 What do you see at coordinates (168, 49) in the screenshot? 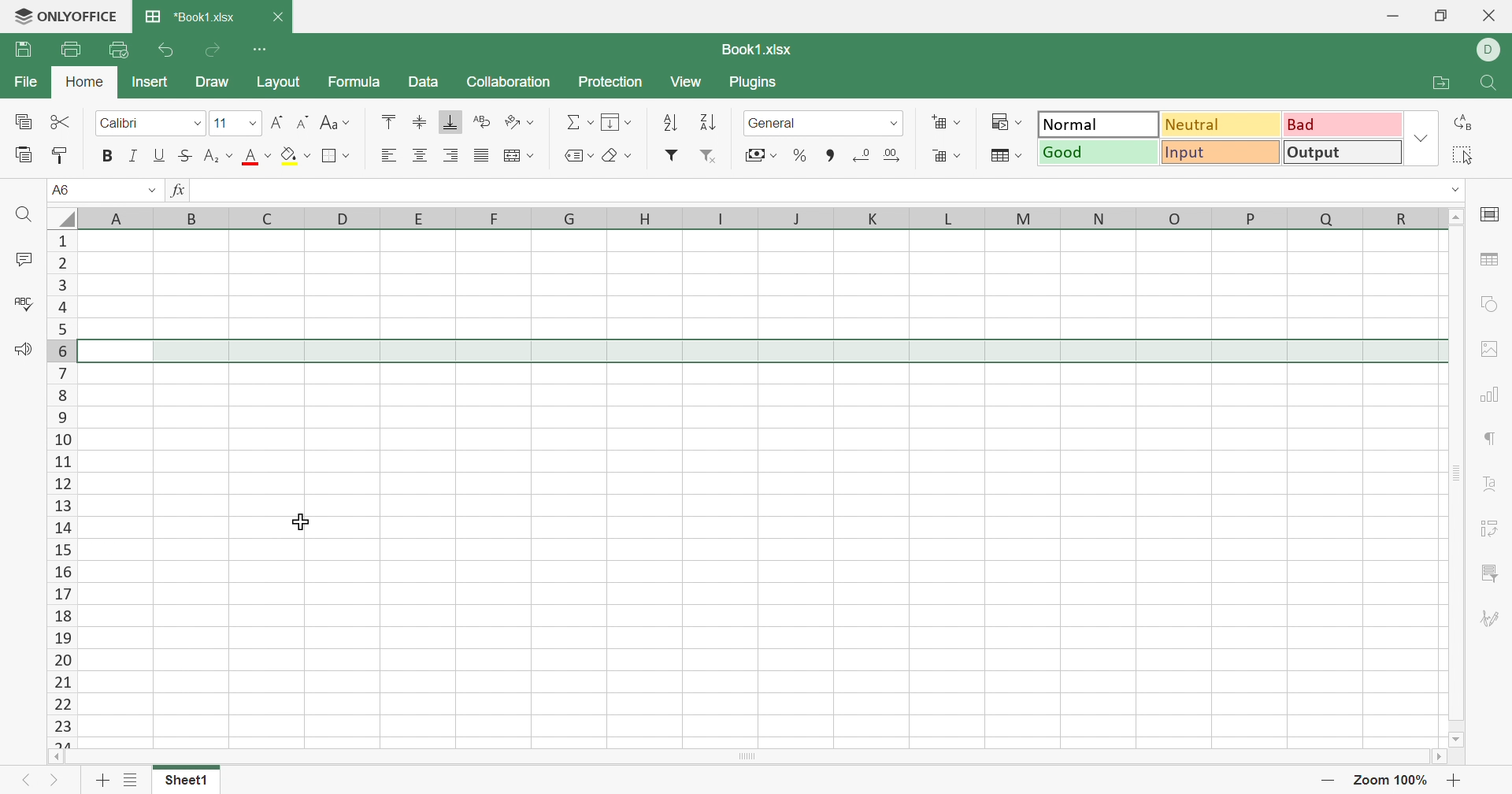
I see `Undo` at bounding box center [168, 49].